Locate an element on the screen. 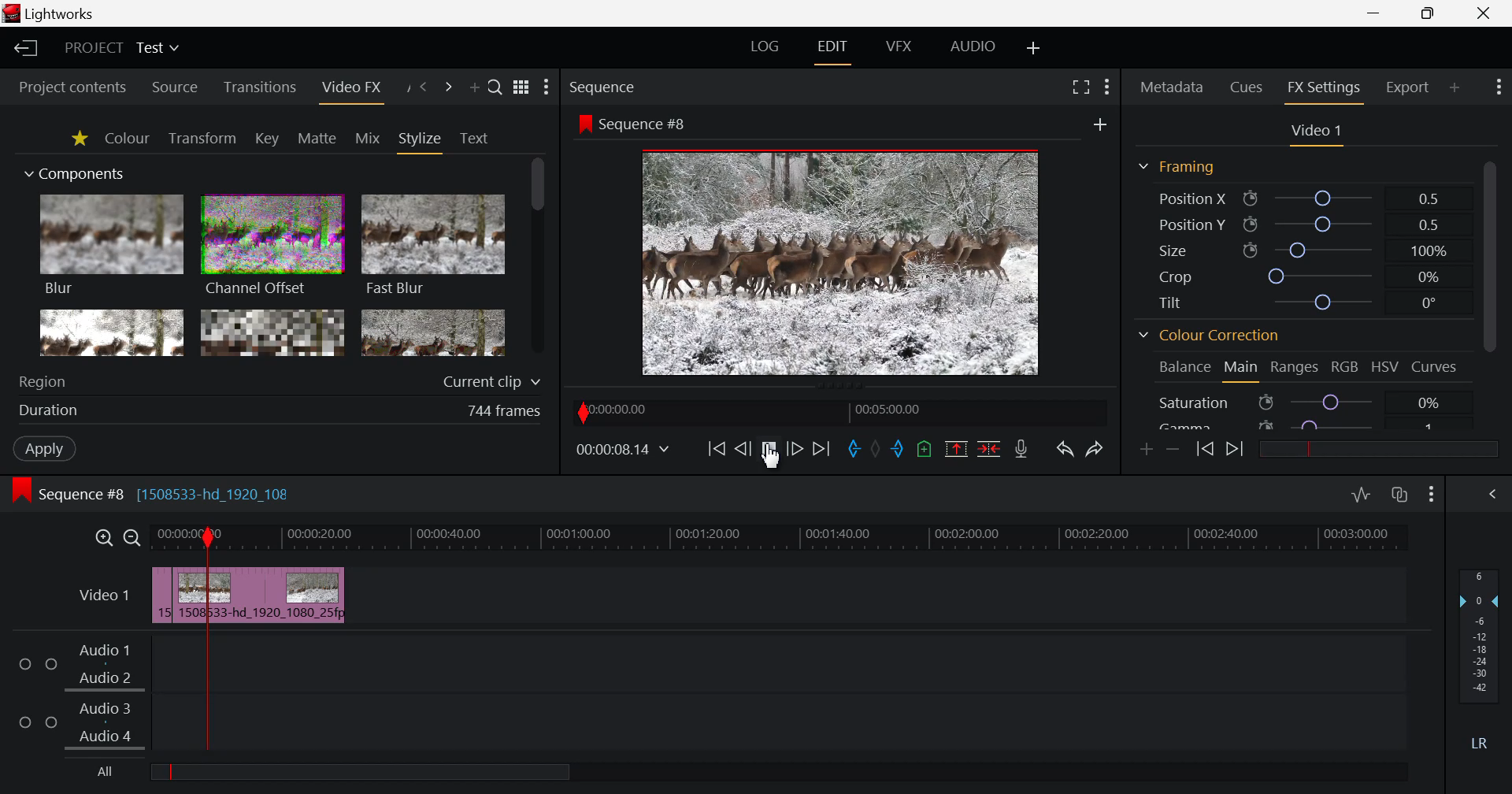  Components is located at coordinates (76, 175).